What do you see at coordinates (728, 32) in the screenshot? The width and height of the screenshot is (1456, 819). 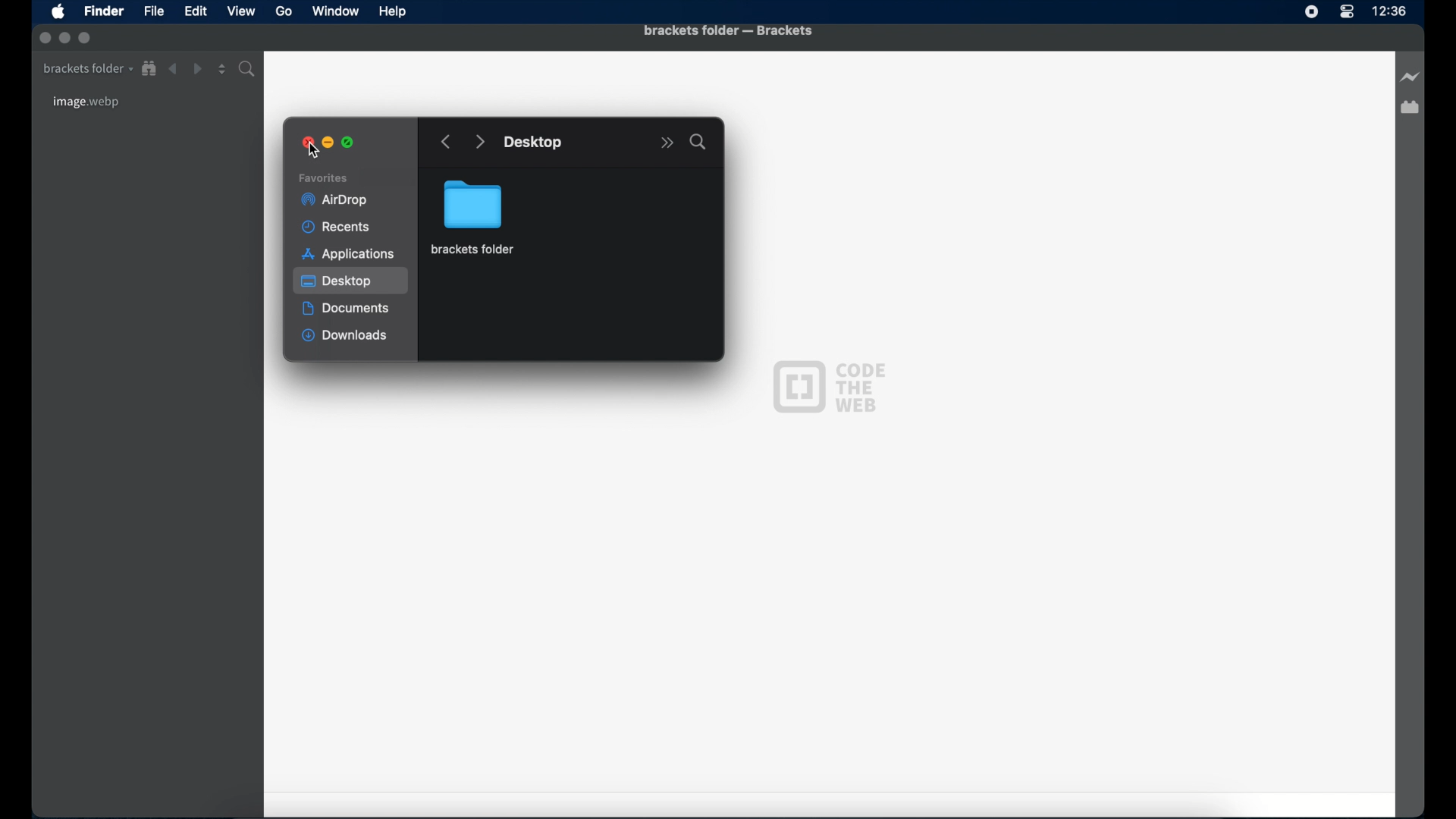 I see `brackets folder - brackets` at bounding box center [728, 32].